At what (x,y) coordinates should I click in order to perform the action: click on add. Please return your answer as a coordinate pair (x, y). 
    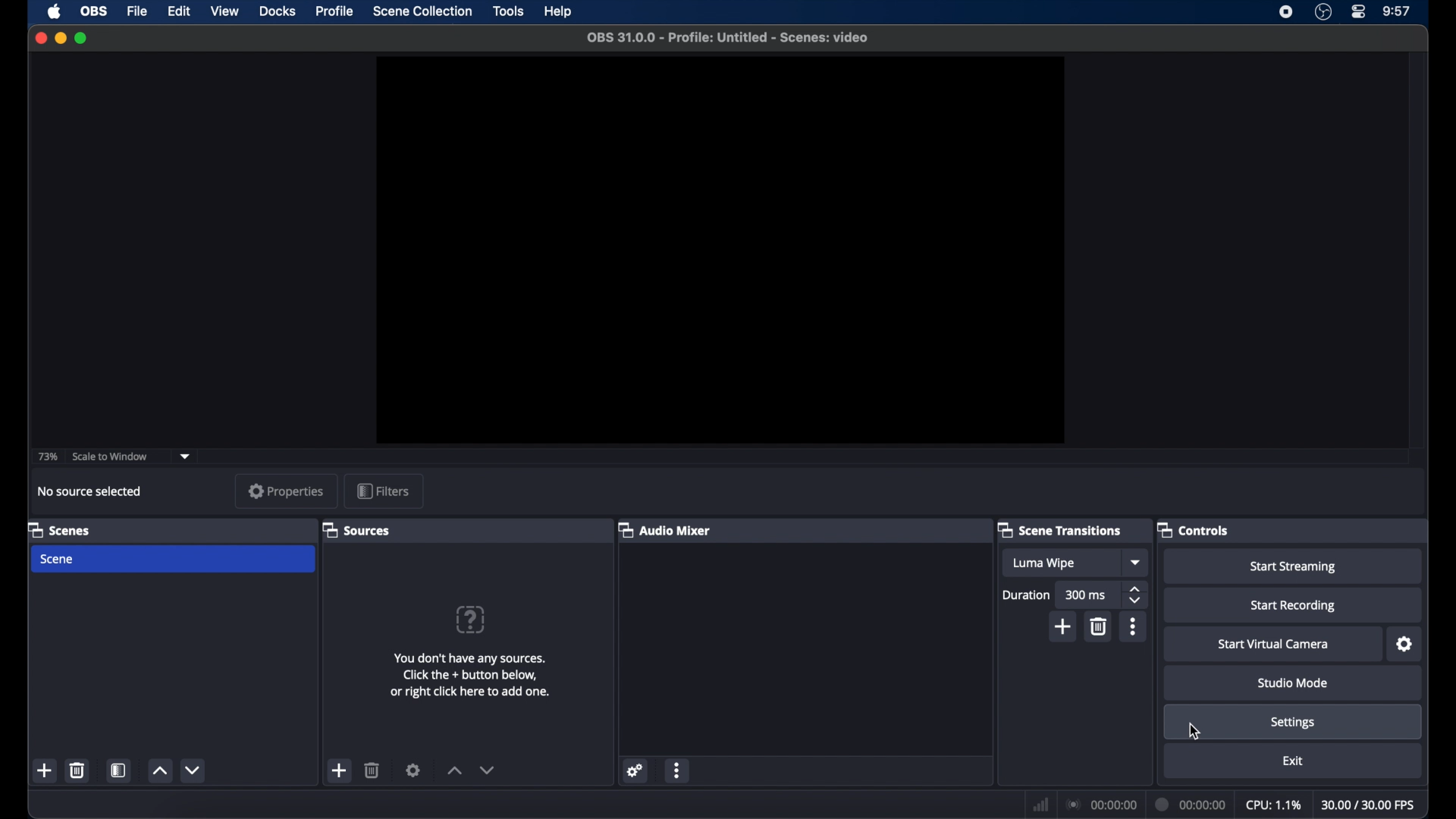
    Looking at the image, I should click on (46, 770).